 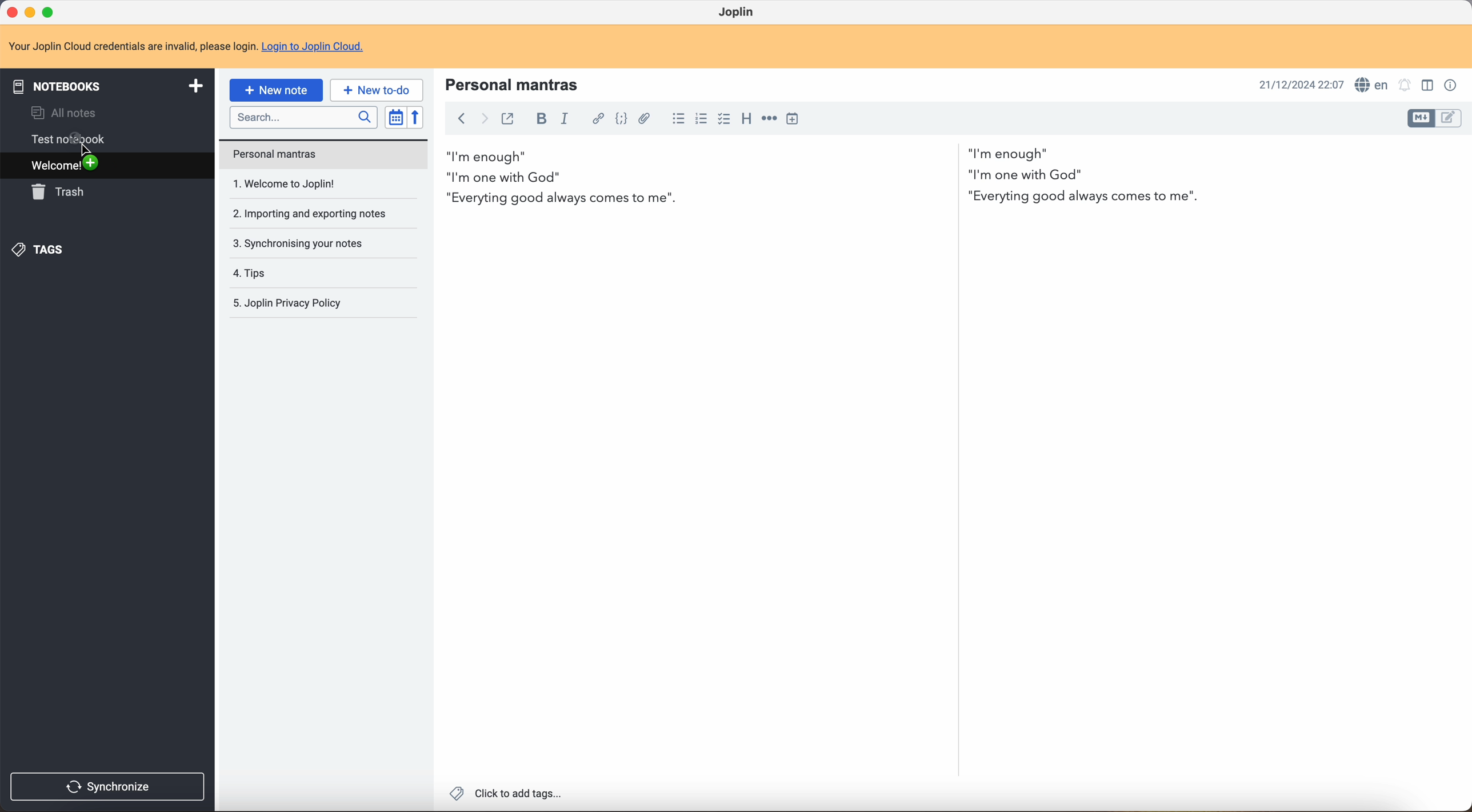 What do you see at coordinates (514, 83) in the screenshot?
I see `title` at bounding box center [514, 83].